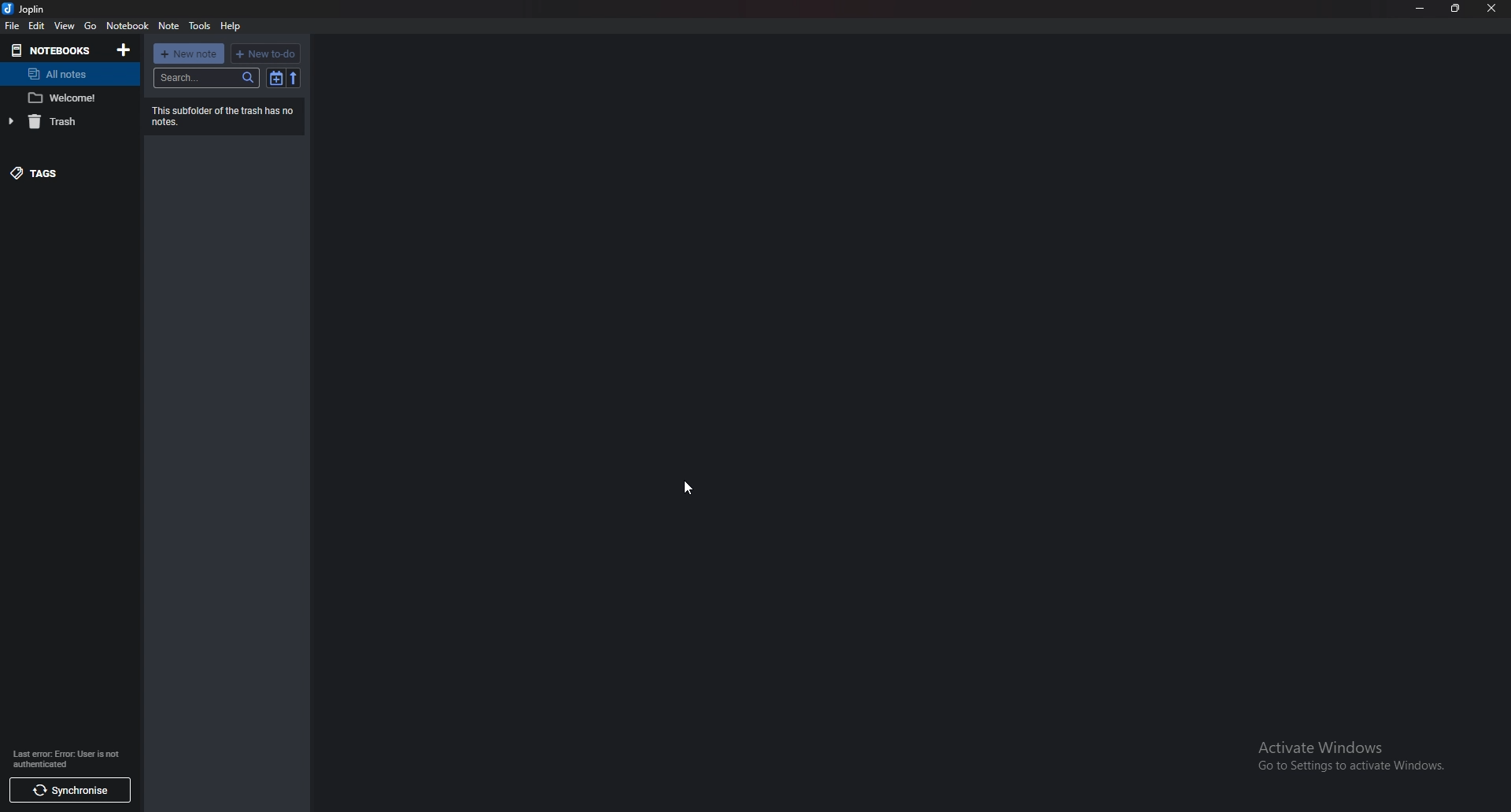 Image resolution: width=1511 pixels, height=812 pixels. I want to click on Synchronize, so click(68, 789).